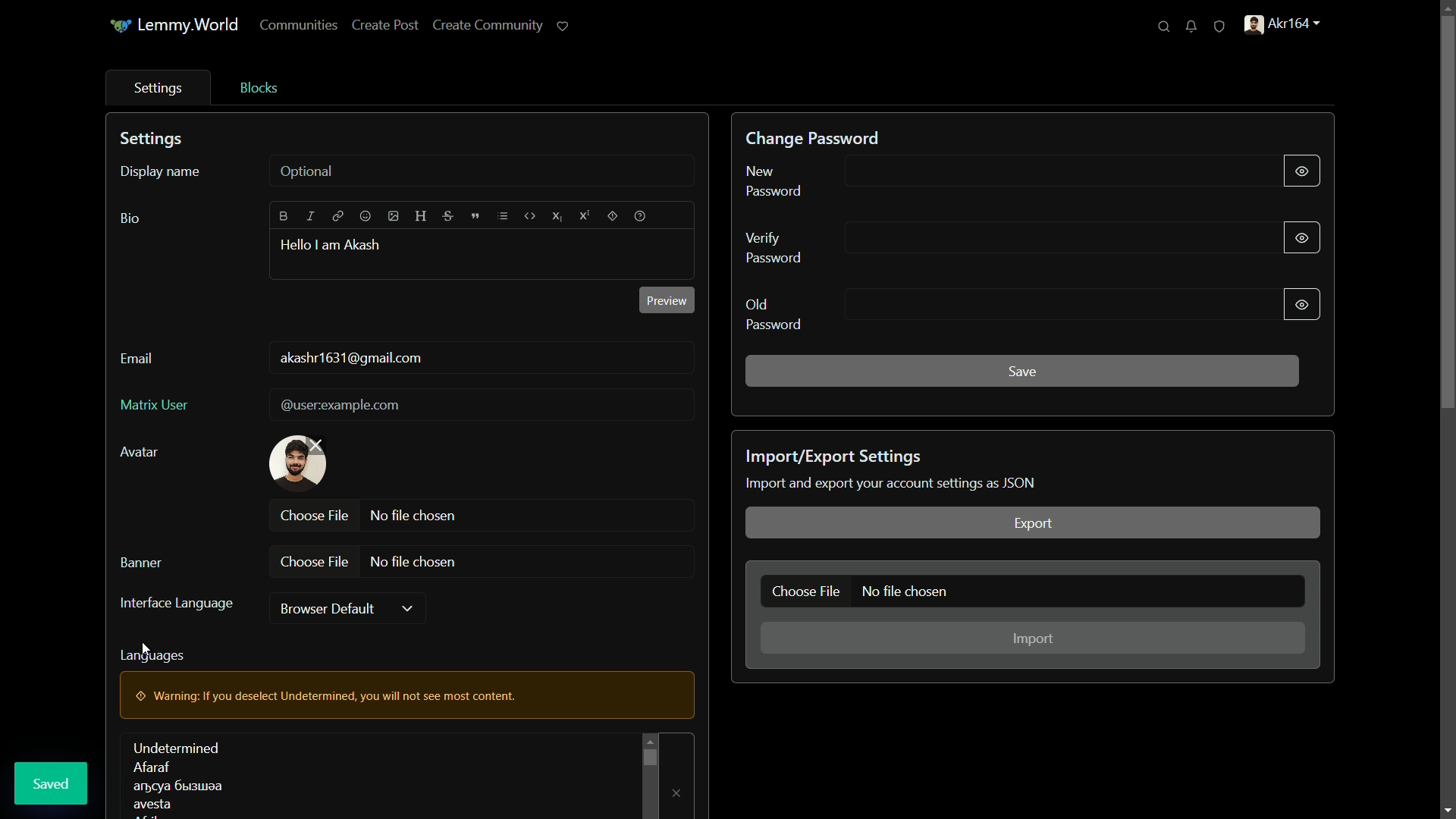 This screenshot has height=819, width=1456. What do you see at coordinates (557, 217) in the screenshot?
I see `subscript` at bounding box center [557, 217].